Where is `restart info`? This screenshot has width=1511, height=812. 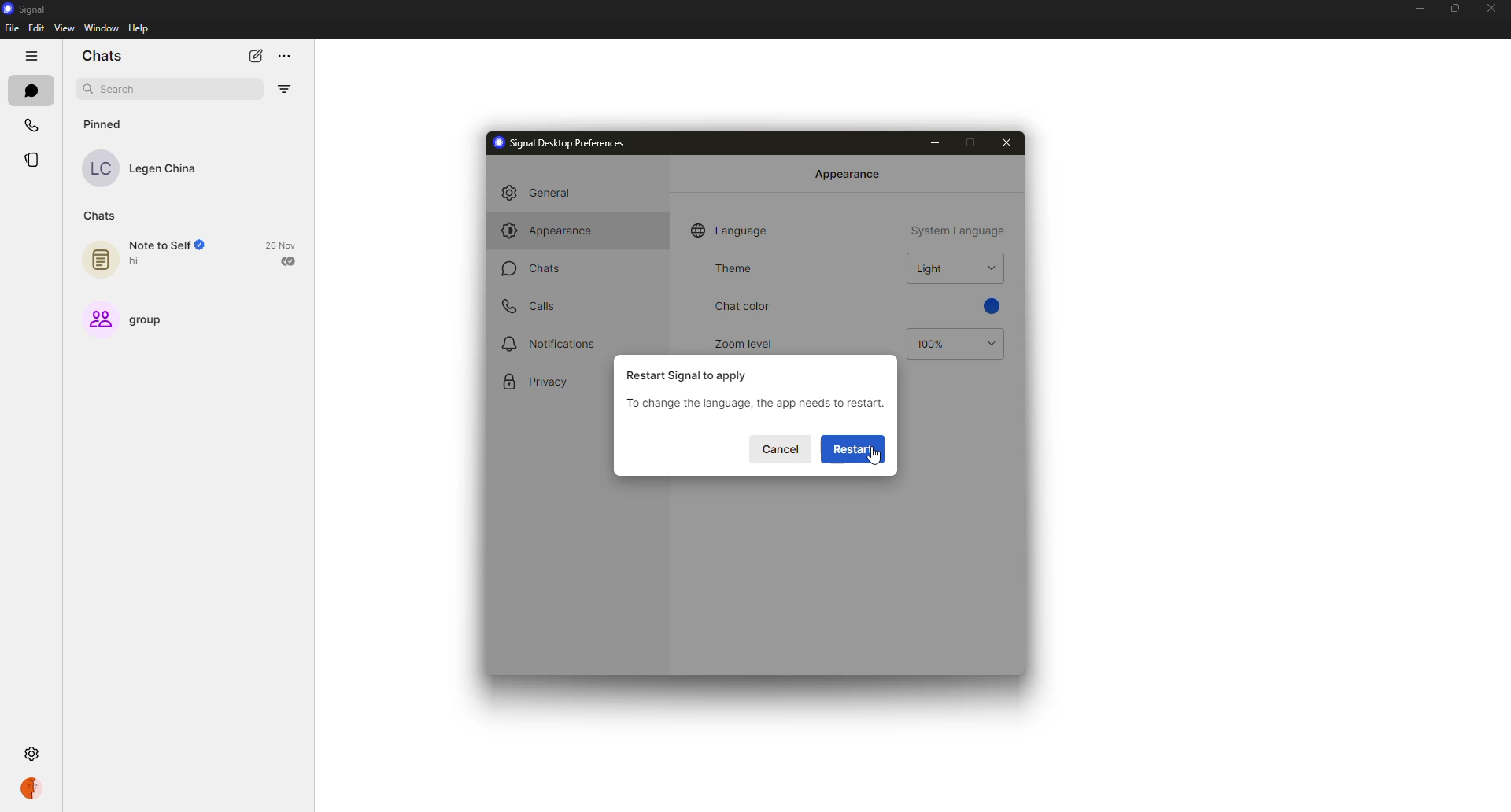 restart info is located at coordinates (754, 403).